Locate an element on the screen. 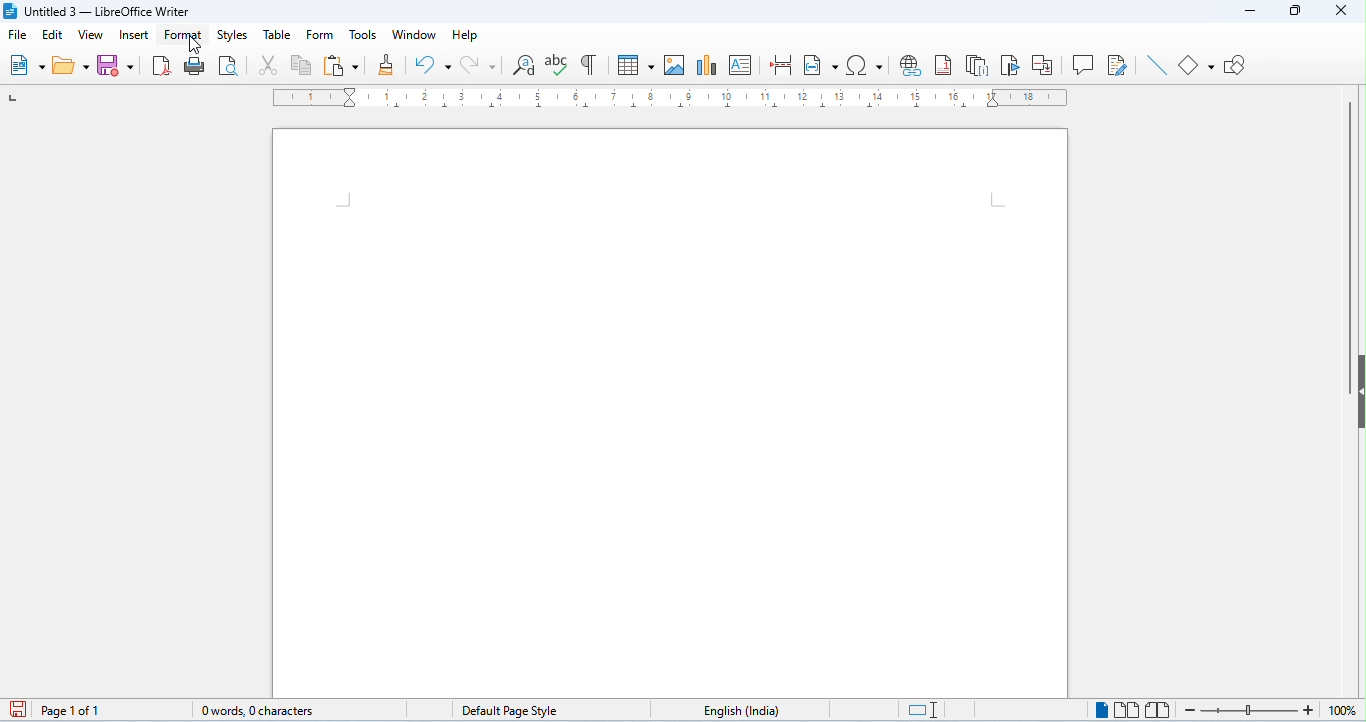 The image size is (1366, 722). save is located at coordinates (116, 65).